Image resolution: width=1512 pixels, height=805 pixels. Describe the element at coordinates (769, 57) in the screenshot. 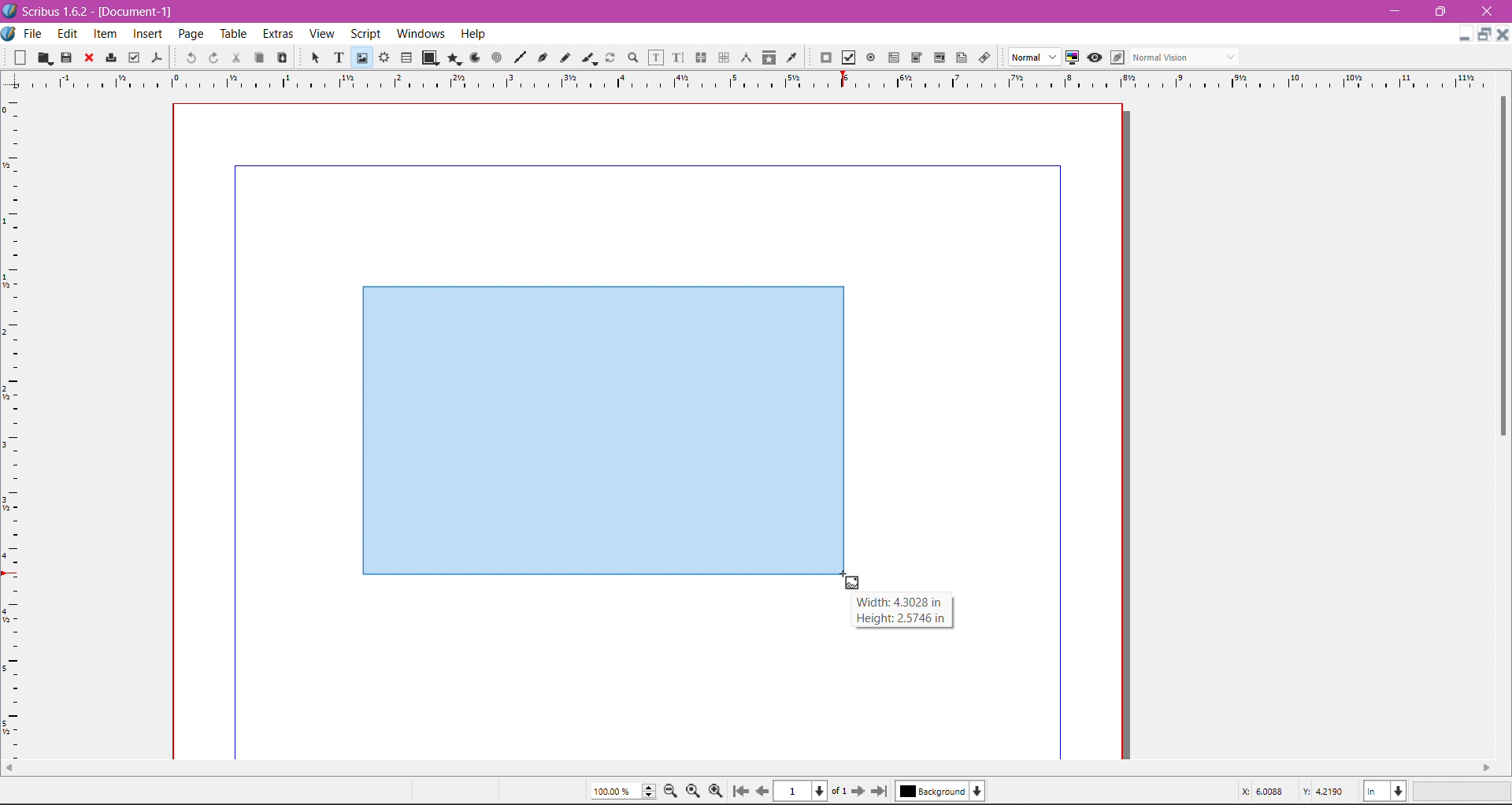

I see `Copy Item Properties` at that location.